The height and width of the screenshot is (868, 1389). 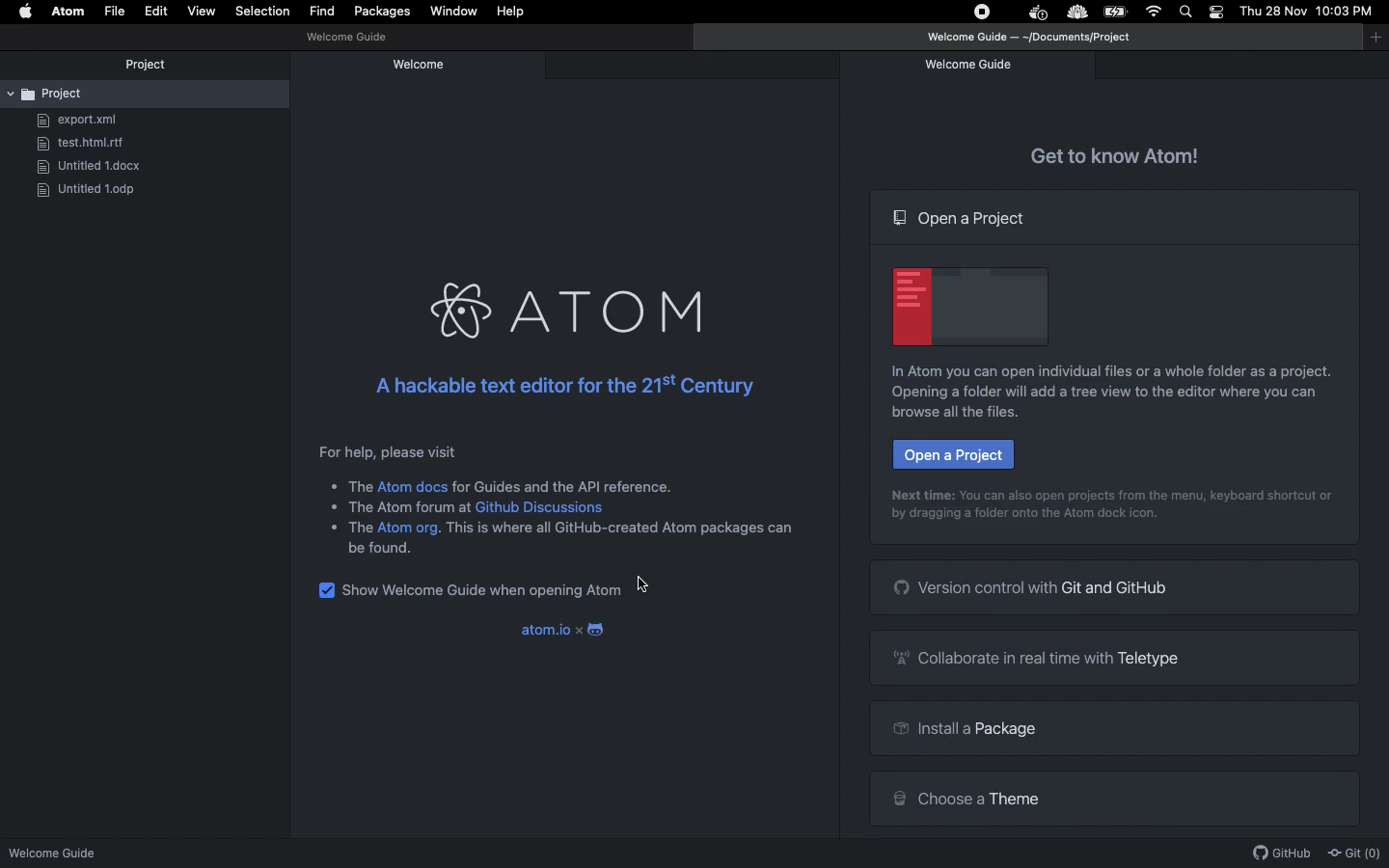 I want to click on Atom, so click(x=561, y=298).